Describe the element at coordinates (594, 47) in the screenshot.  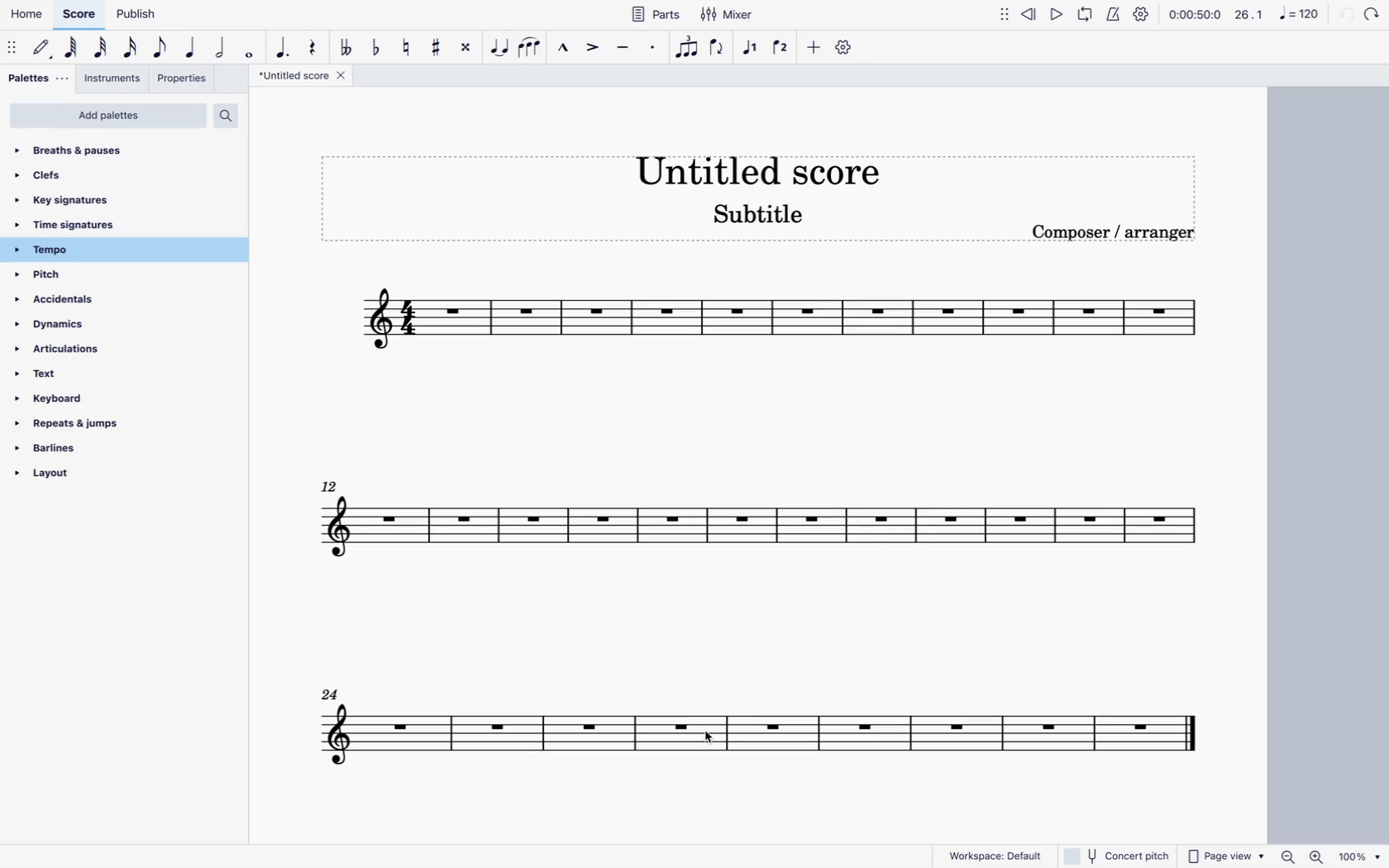
I see `accent` at that location.